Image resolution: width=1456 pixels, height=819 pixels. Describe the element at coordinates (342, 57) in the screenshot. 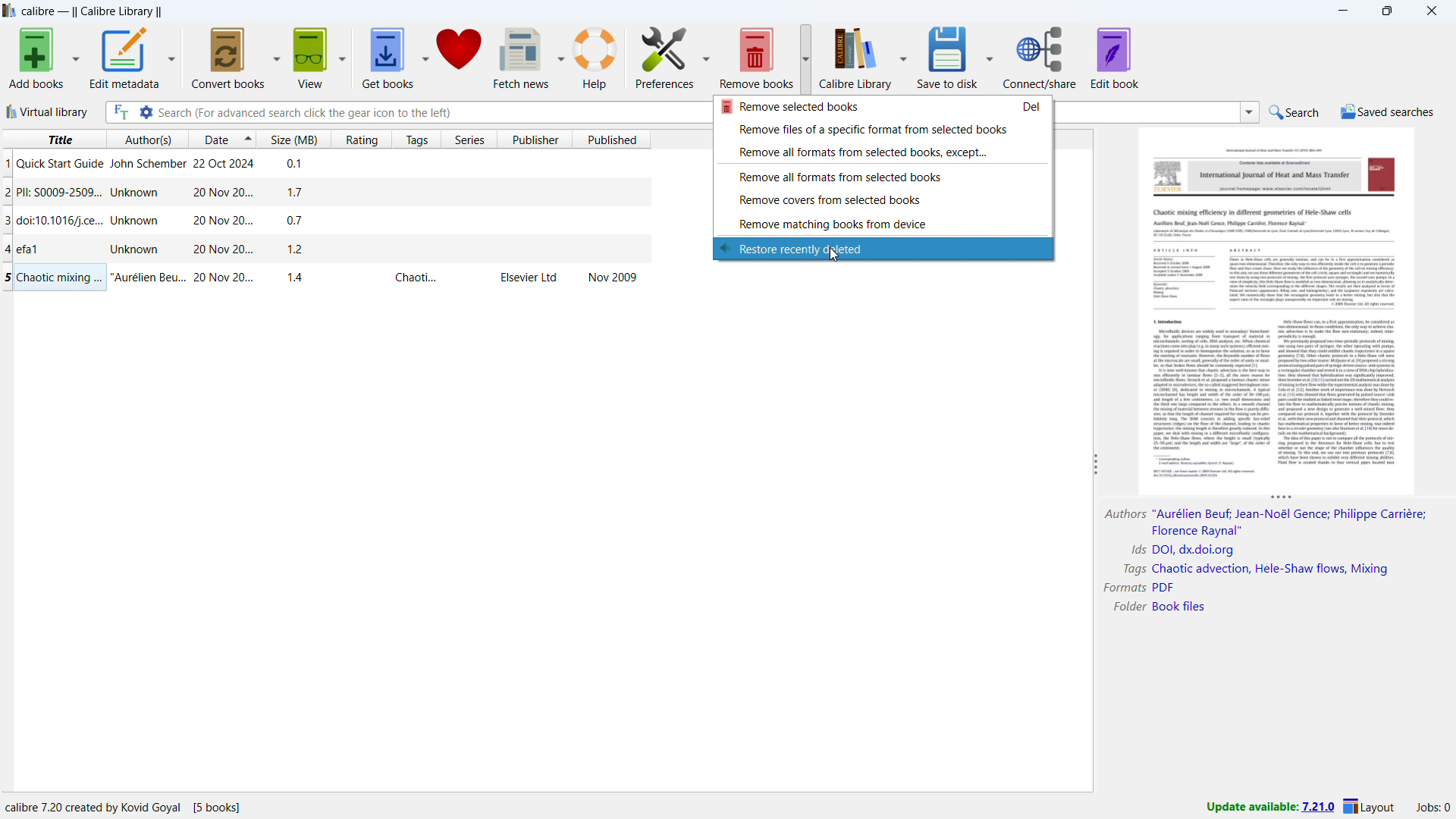

I see `view options` at that location.